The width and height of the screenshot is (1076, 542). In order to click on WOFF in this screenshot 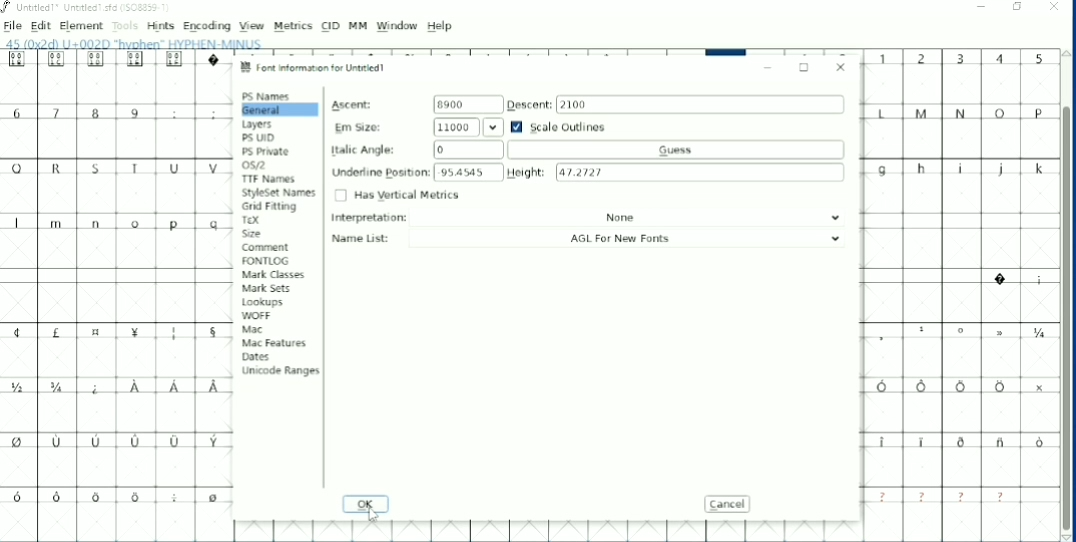, I will do `click(256, 316)`.